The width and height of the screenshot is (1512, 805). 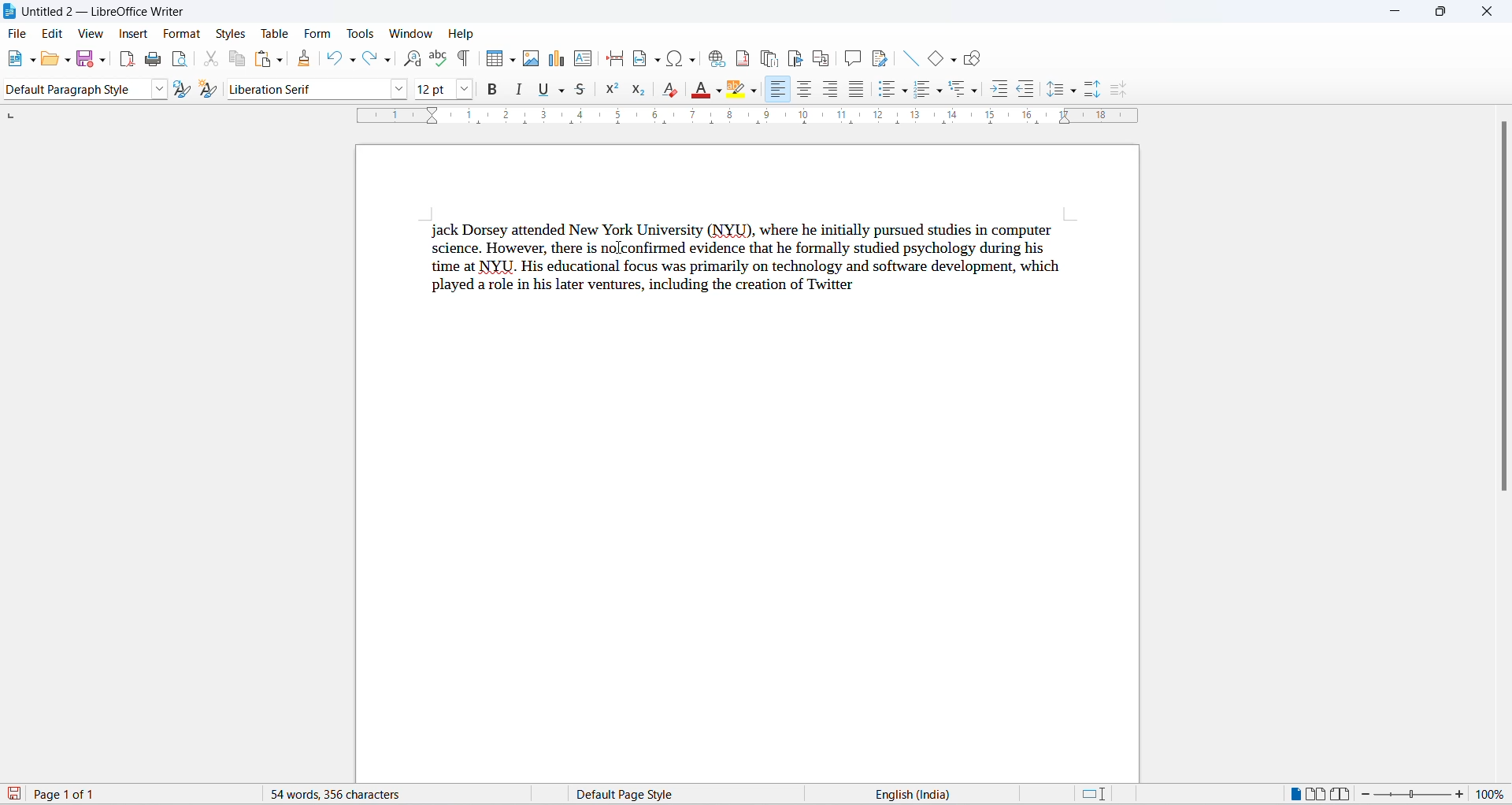 What do you see at coordinates (542, 89) in the screenshot?
I see `underline` at bounding box center [542, 89].